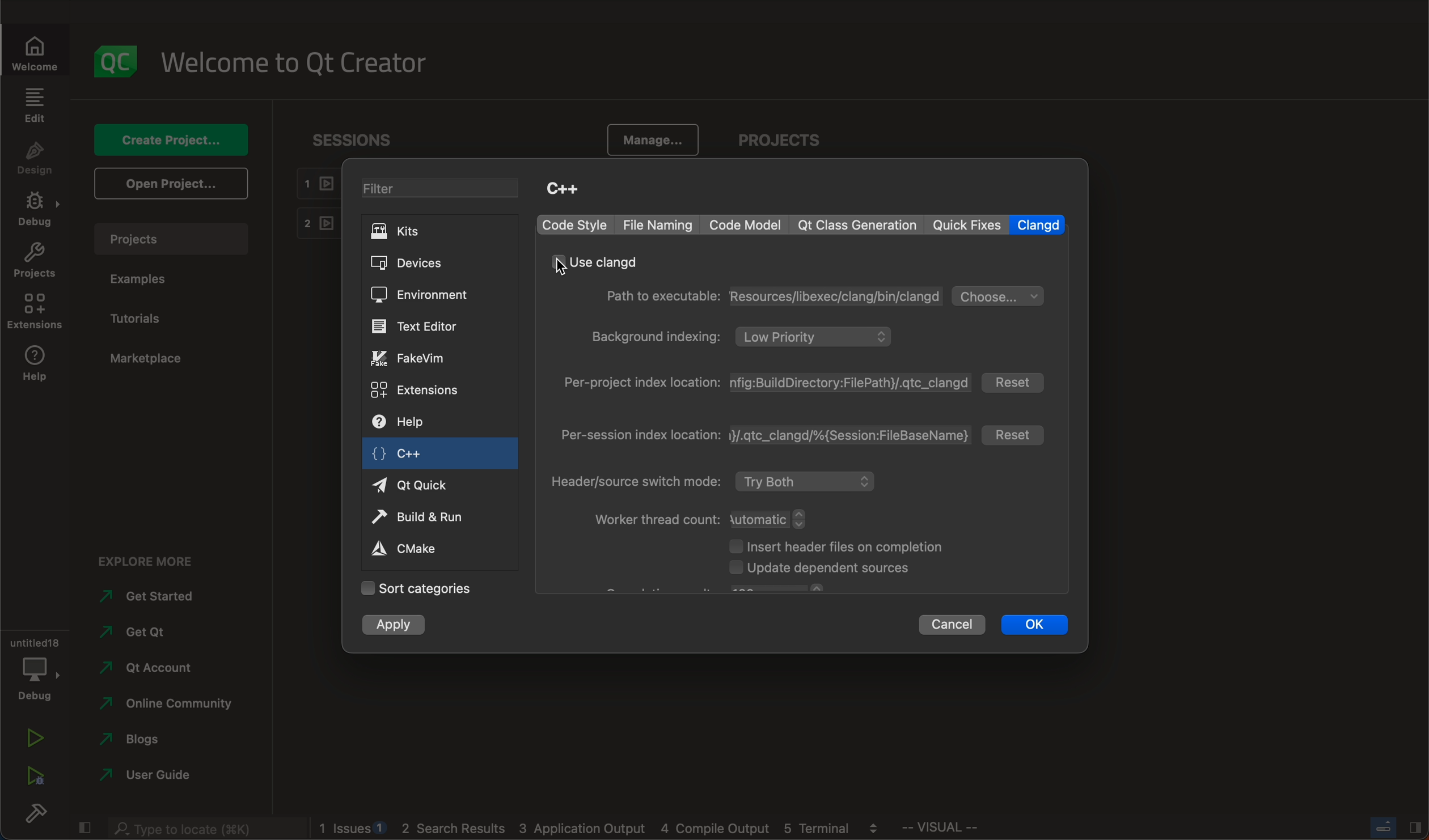  What do you see at coordinates (708, 520) in the screenshot?
I see `thread count` at bounding box center [708, 520].